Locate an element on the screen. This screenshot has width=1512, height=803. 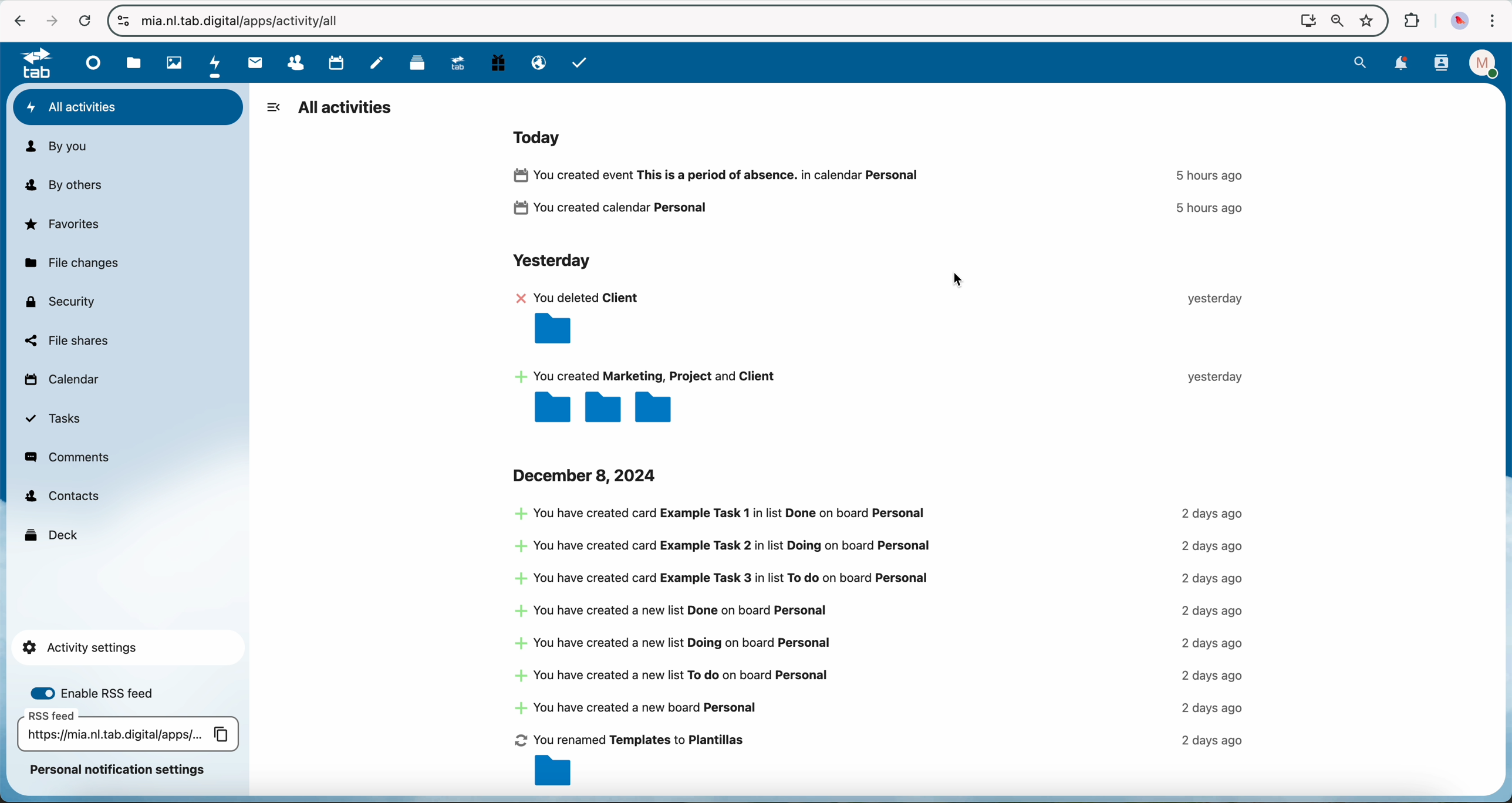
customize and control Google Chrome is located at coordinates (1493, 22).